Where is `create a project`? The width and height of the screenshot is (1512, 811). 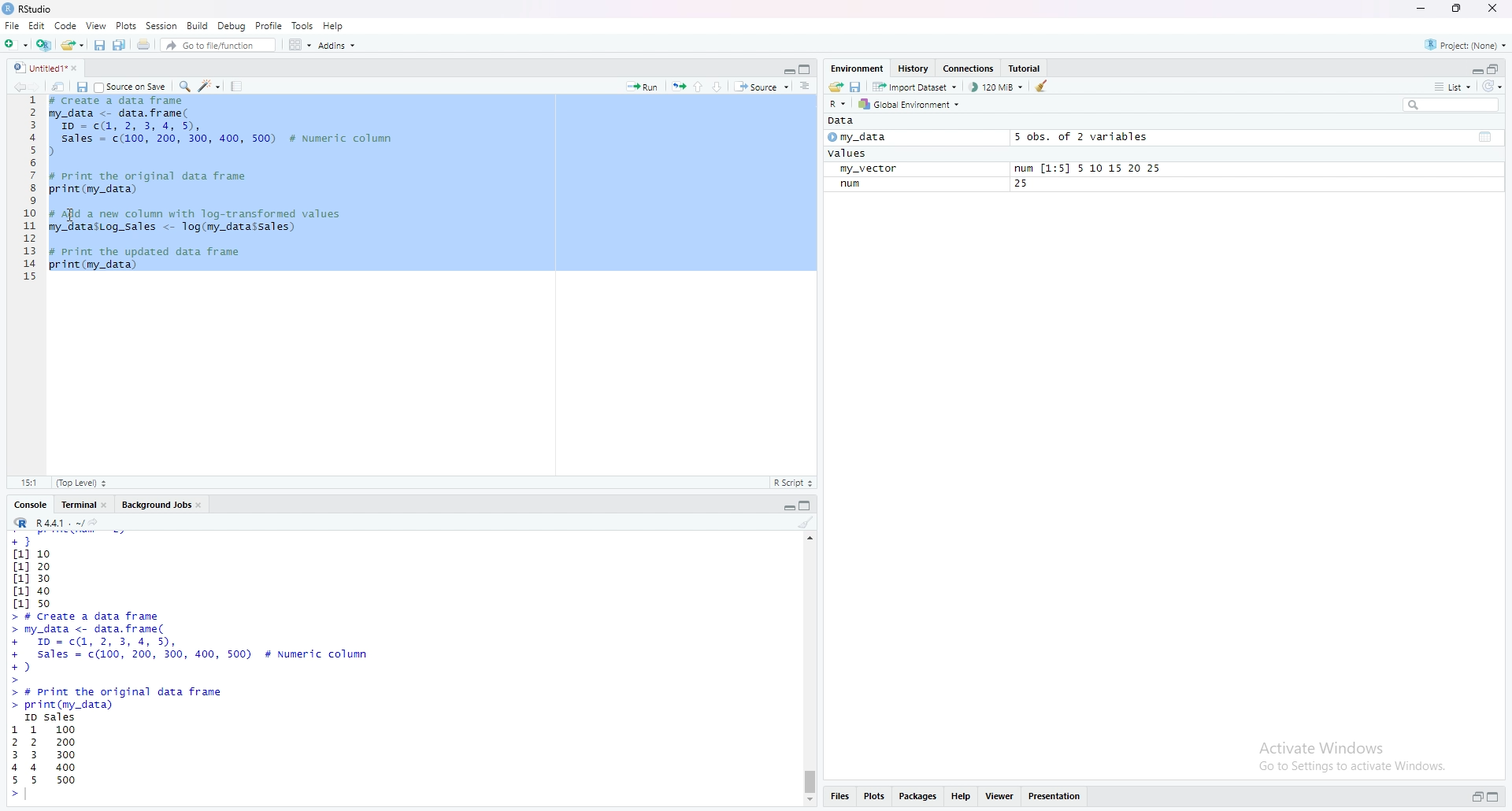 create a project is located at coordinates (44, 45).